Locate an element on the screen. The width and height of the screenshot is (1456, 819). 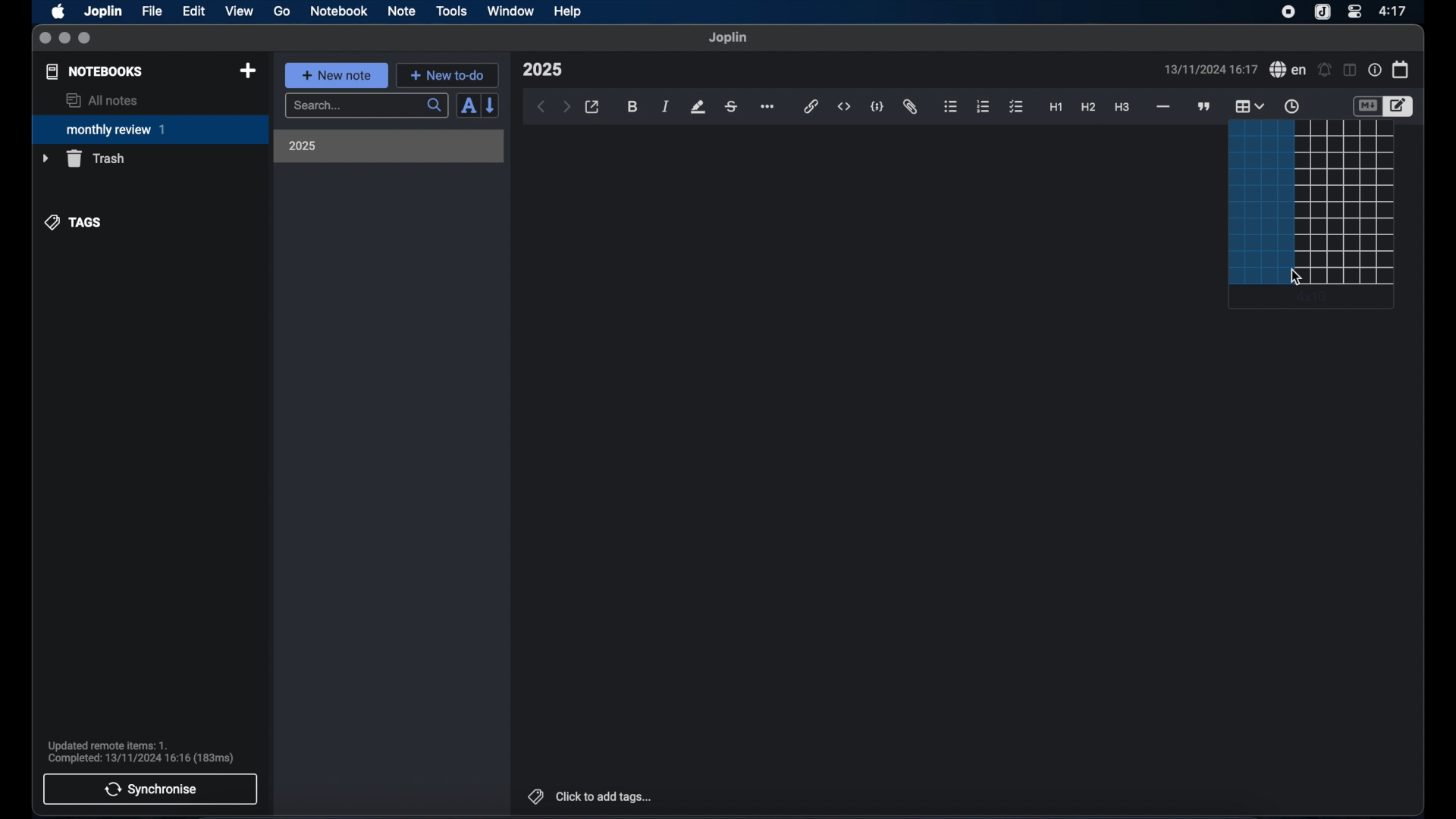
rows and columns  is located at coordinates (1346, 201).